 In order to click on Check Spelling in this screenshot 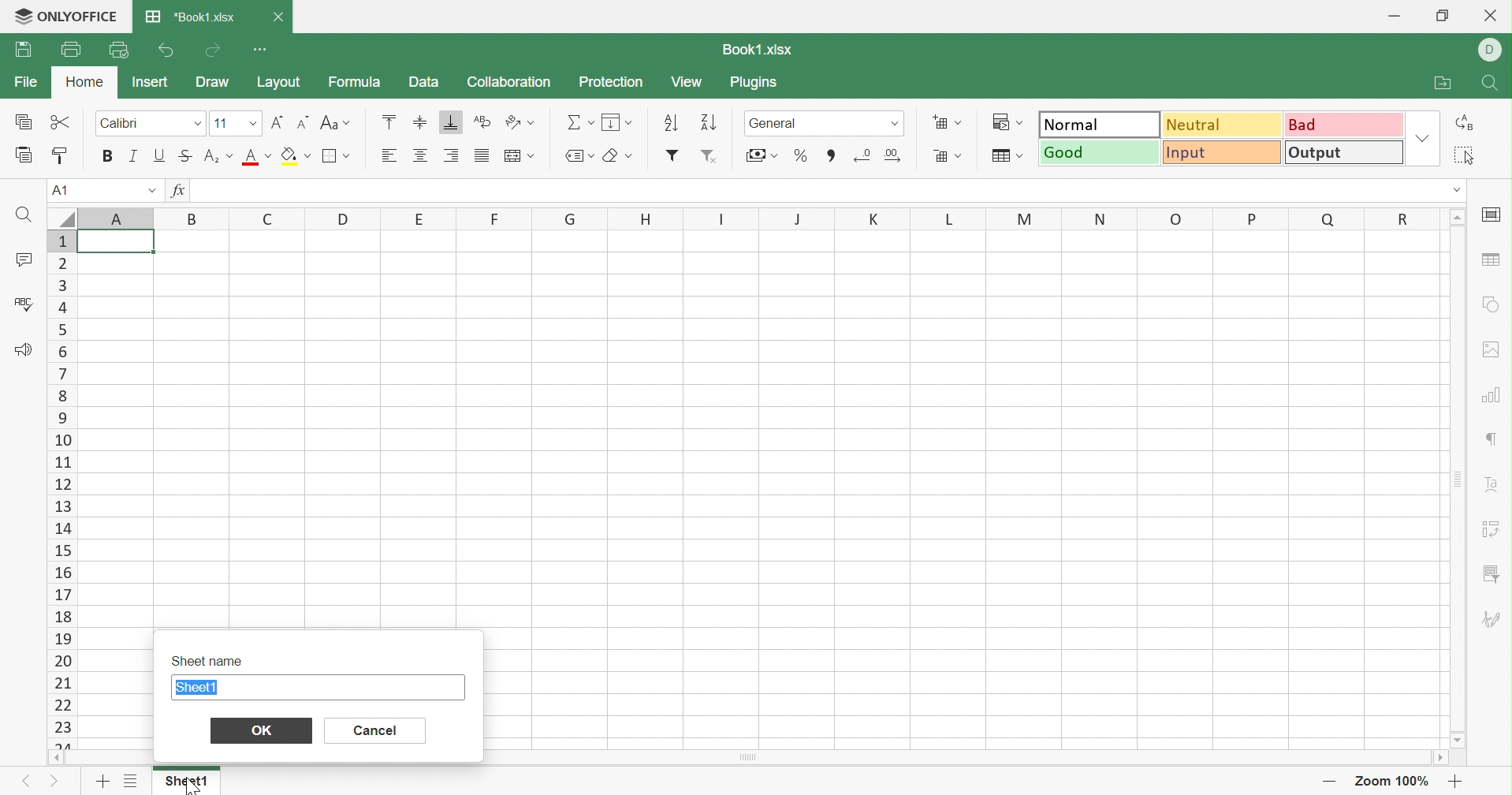, I will do `click(28, 303)`.